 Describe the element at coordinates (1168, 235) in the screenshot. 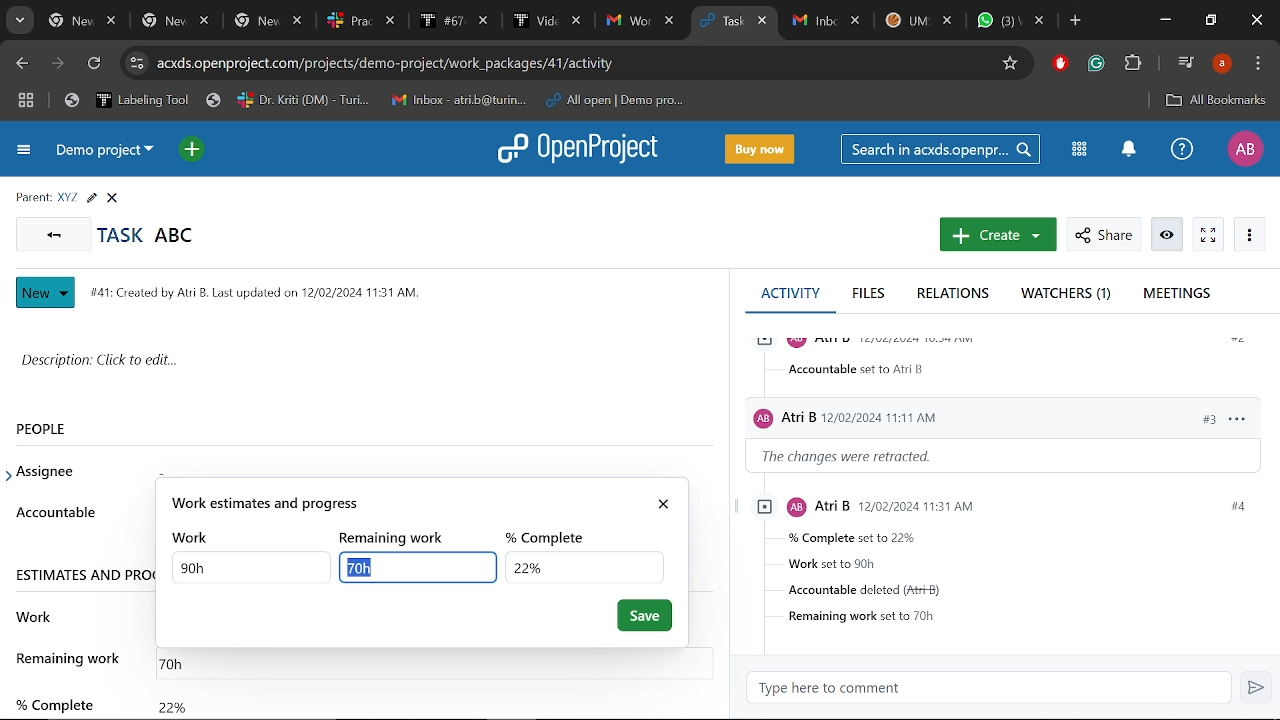

I see `Info` at that location.